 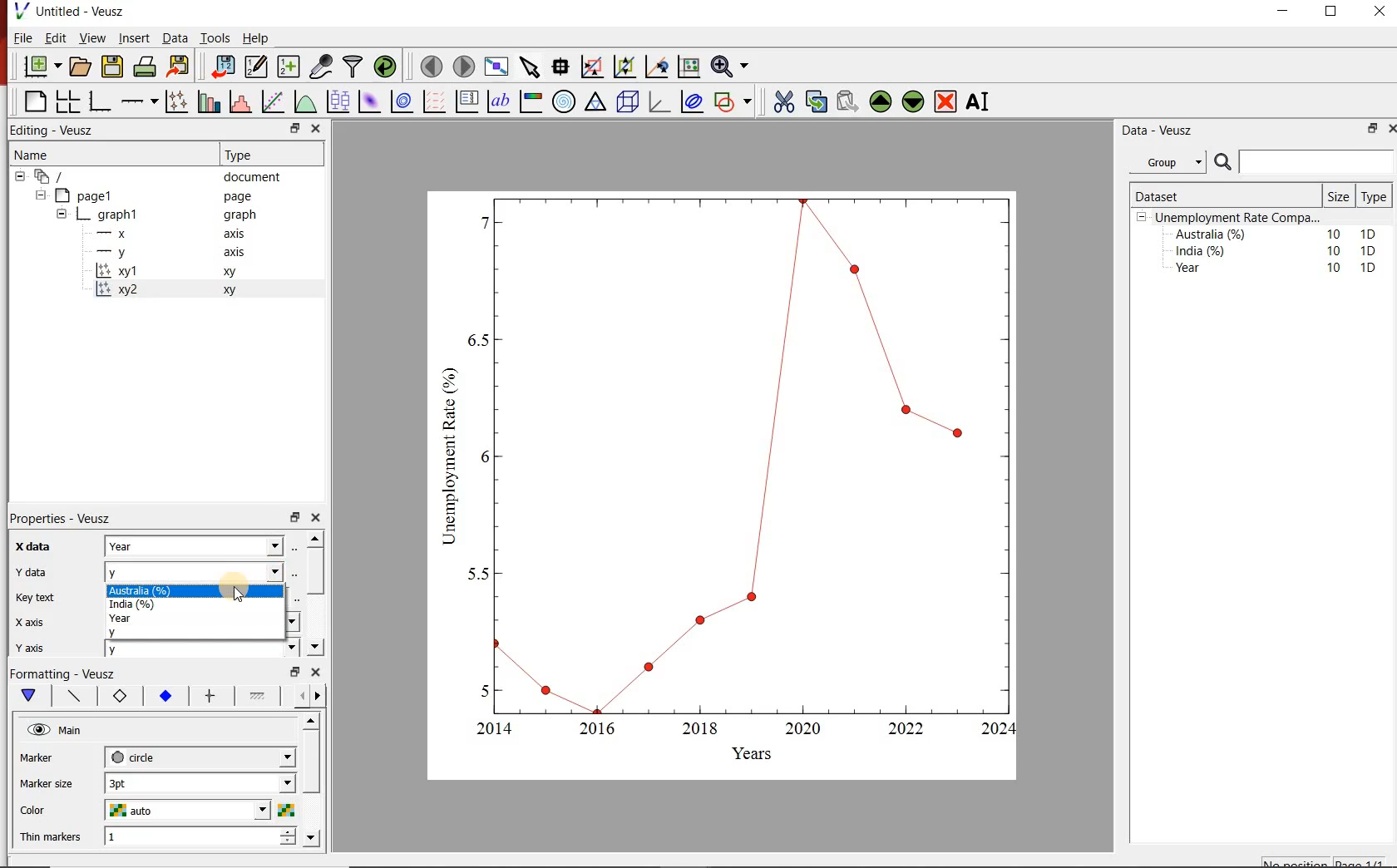 What do you see at coordinates (981, 101) in the screenshot?
I see `rename the widgets` at bounding box center [981, 101].